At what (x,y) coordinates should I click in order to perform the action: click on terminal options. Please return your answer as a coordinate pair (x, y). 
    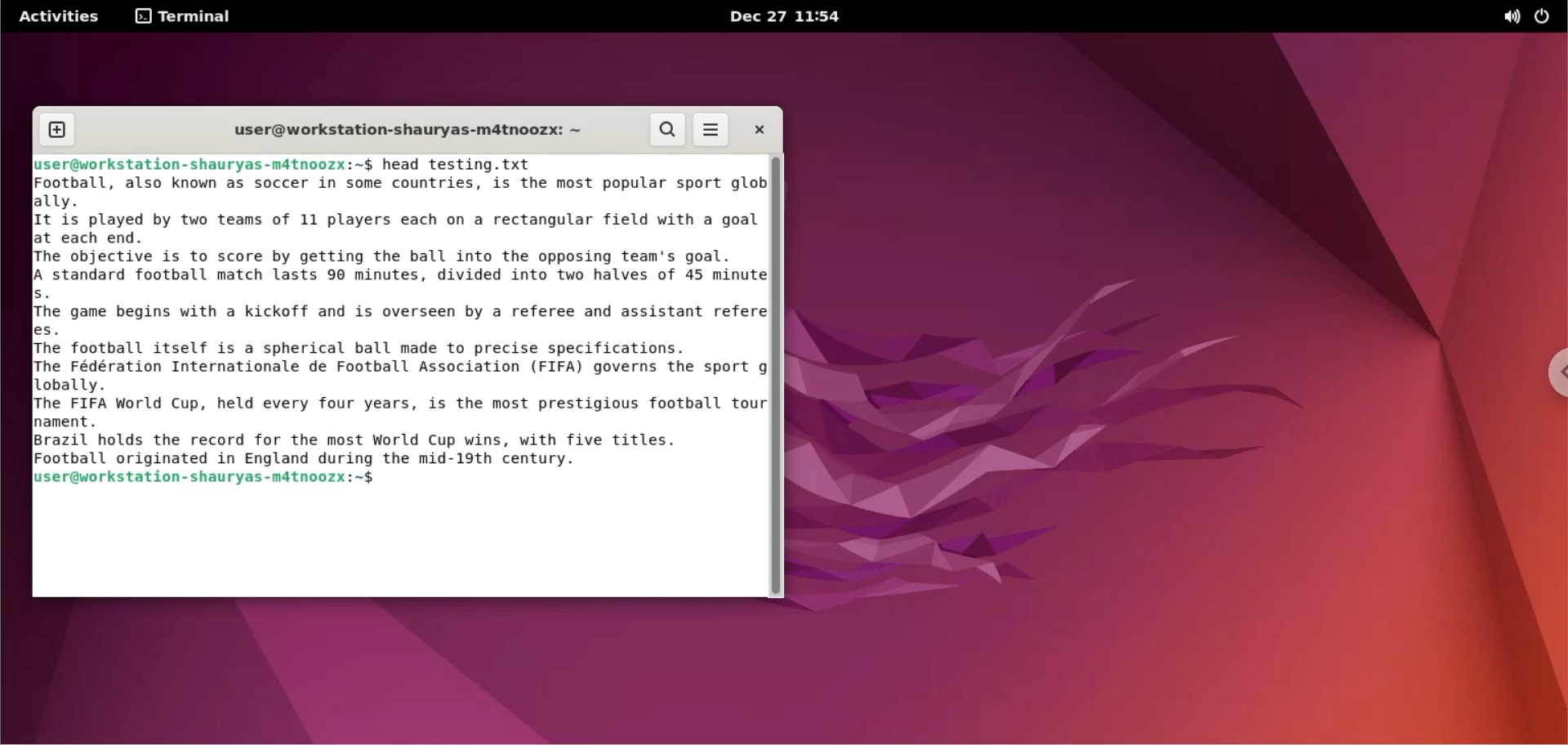
    Looking at the image, I should click on (184, 17).